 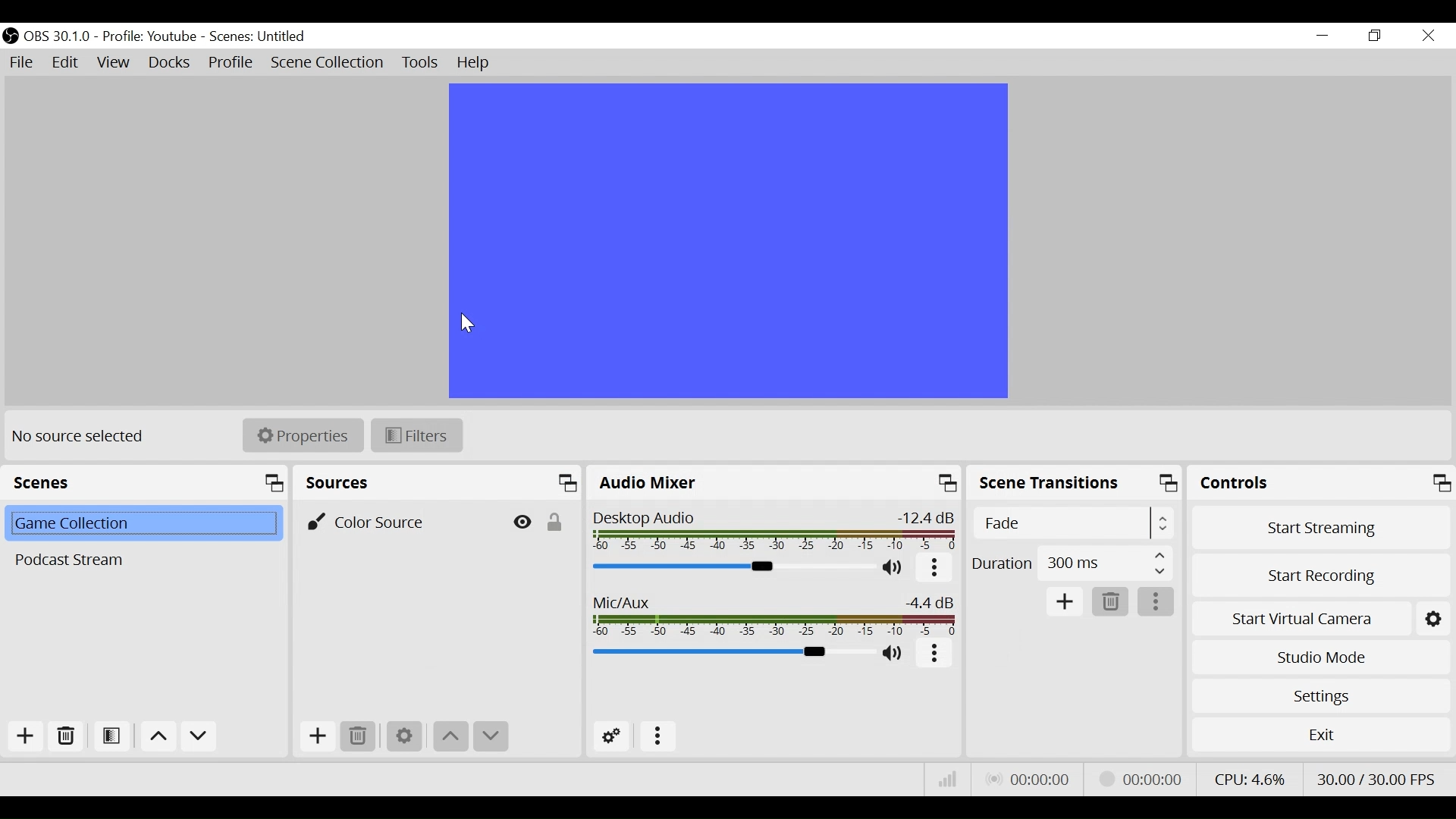 What do you see at coordinates (949, 780) in the screenshot?
I see `Bitrate` at bounding box center [949, 780].